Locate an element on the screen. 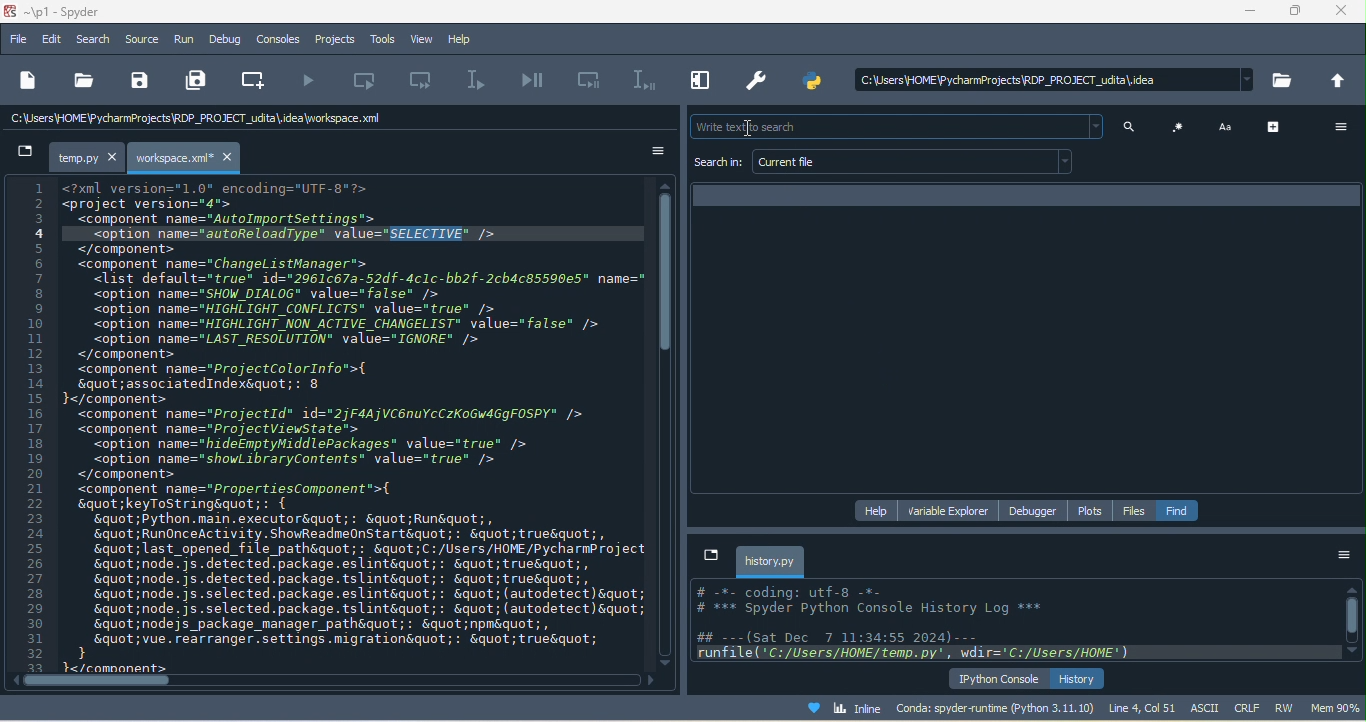  inline is located at coordinates (835, 706).